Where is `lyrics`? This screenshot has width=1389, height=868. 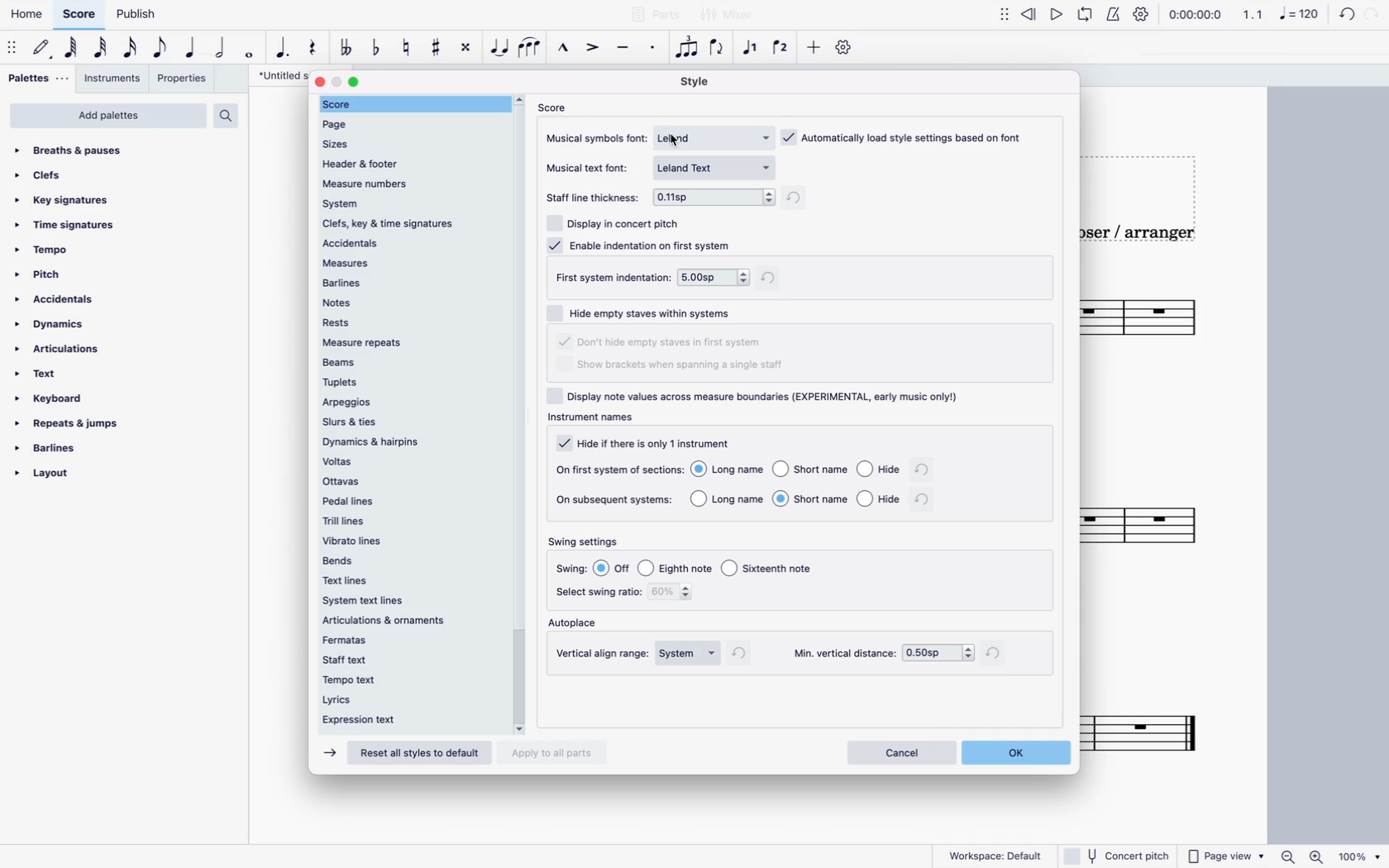
lyrics is located at coordinates (406, 701).